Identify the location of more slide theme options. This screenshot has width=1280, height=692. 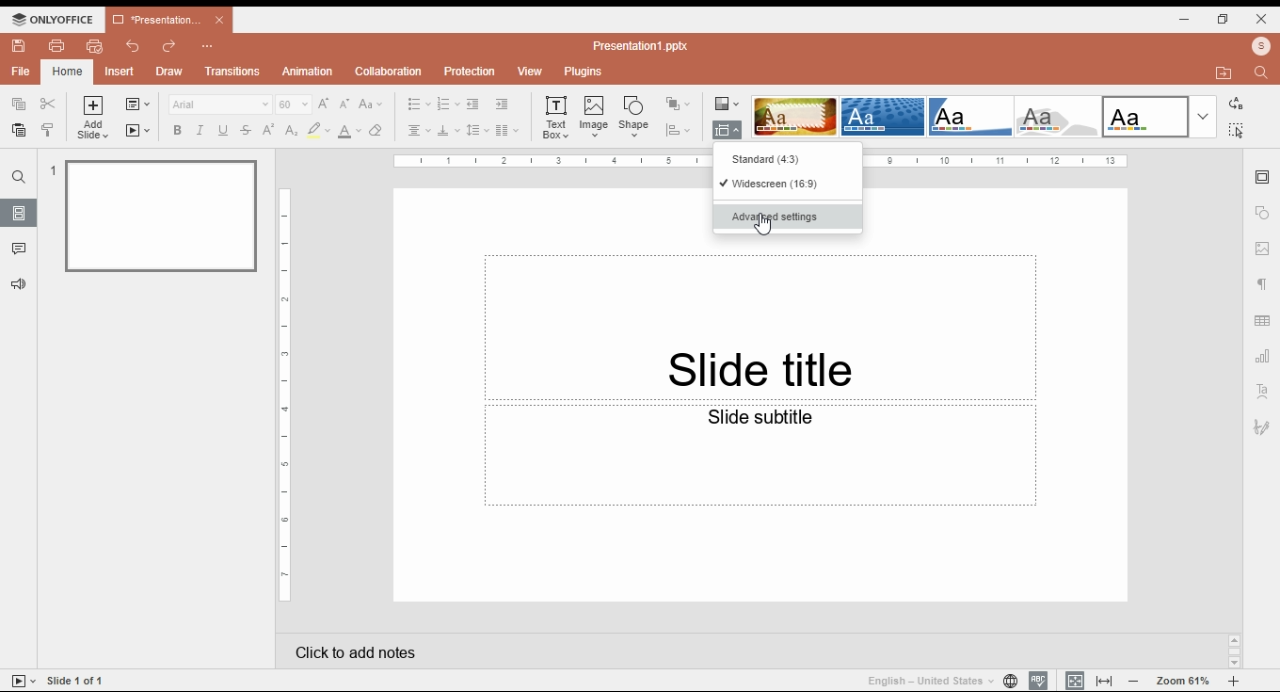
(1203, 117).